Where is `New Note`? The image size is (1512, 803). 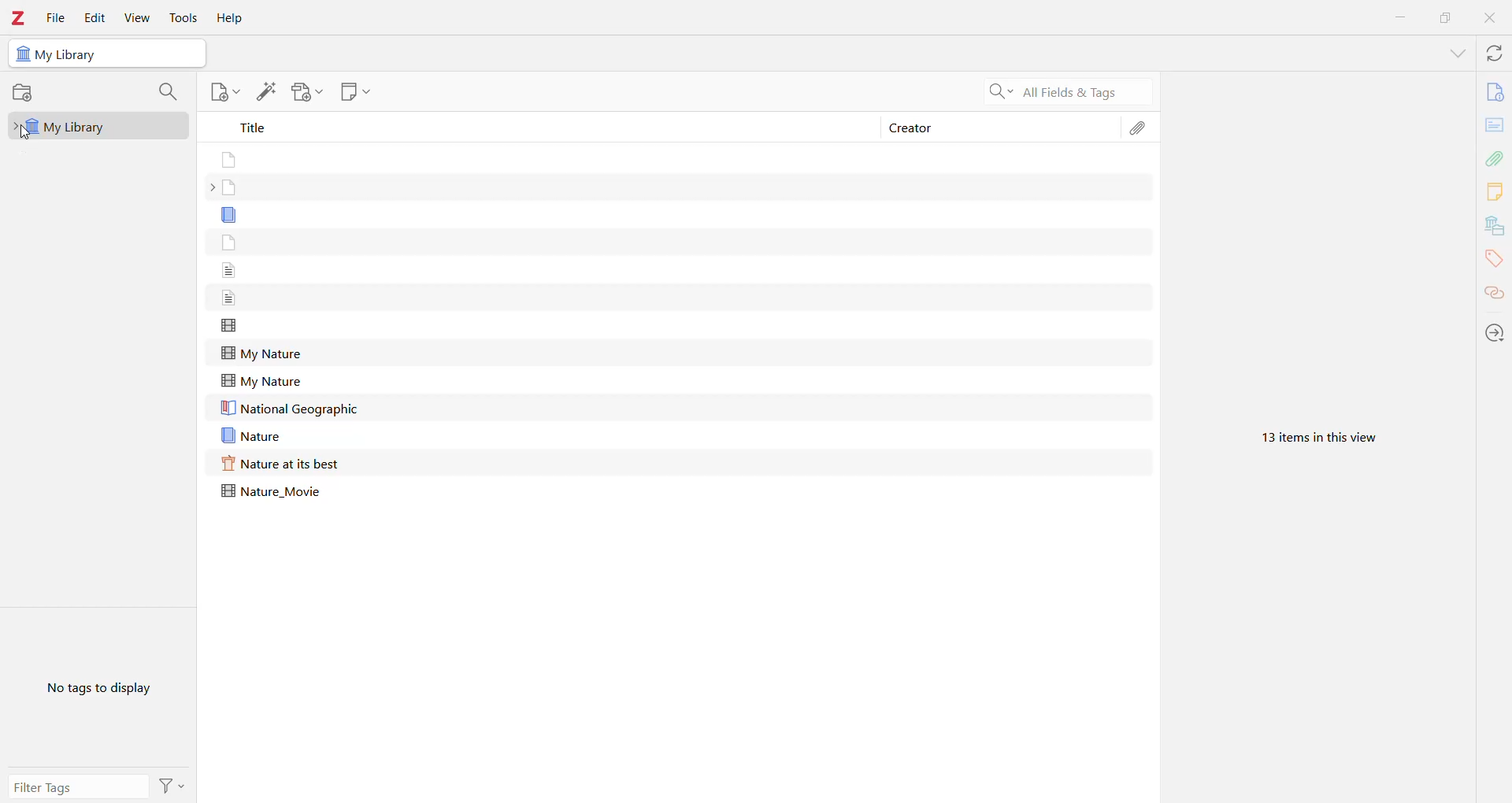
New Note is located at coordinates (357, 94).